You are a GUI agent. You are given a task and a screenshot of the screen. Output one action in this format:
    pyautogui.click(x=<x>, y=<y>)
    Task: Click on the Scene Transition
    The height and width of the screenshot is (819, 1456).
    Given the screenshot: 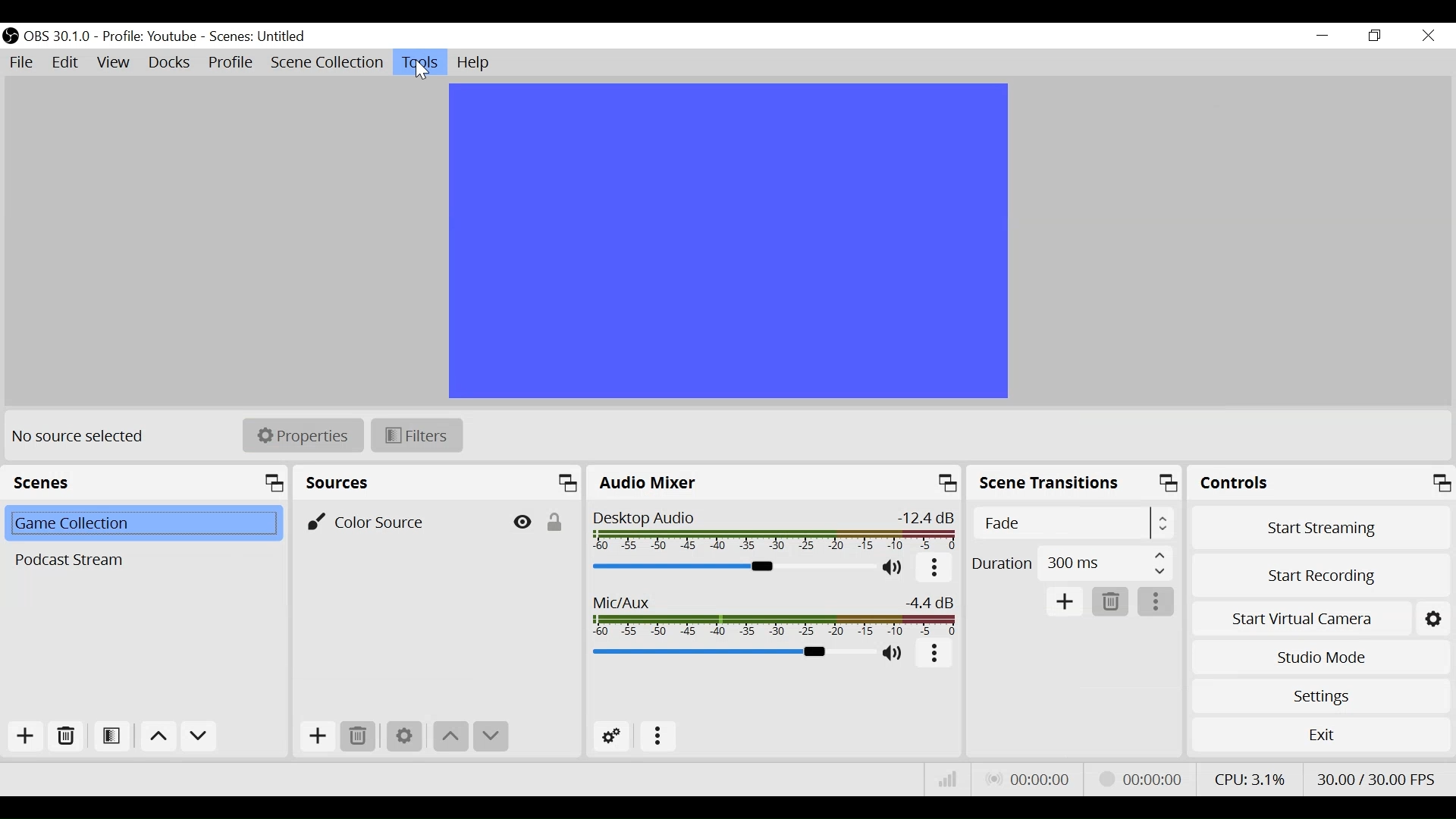 What is the action you would take?
    pyautogui.click(x=1075, y=484)
    